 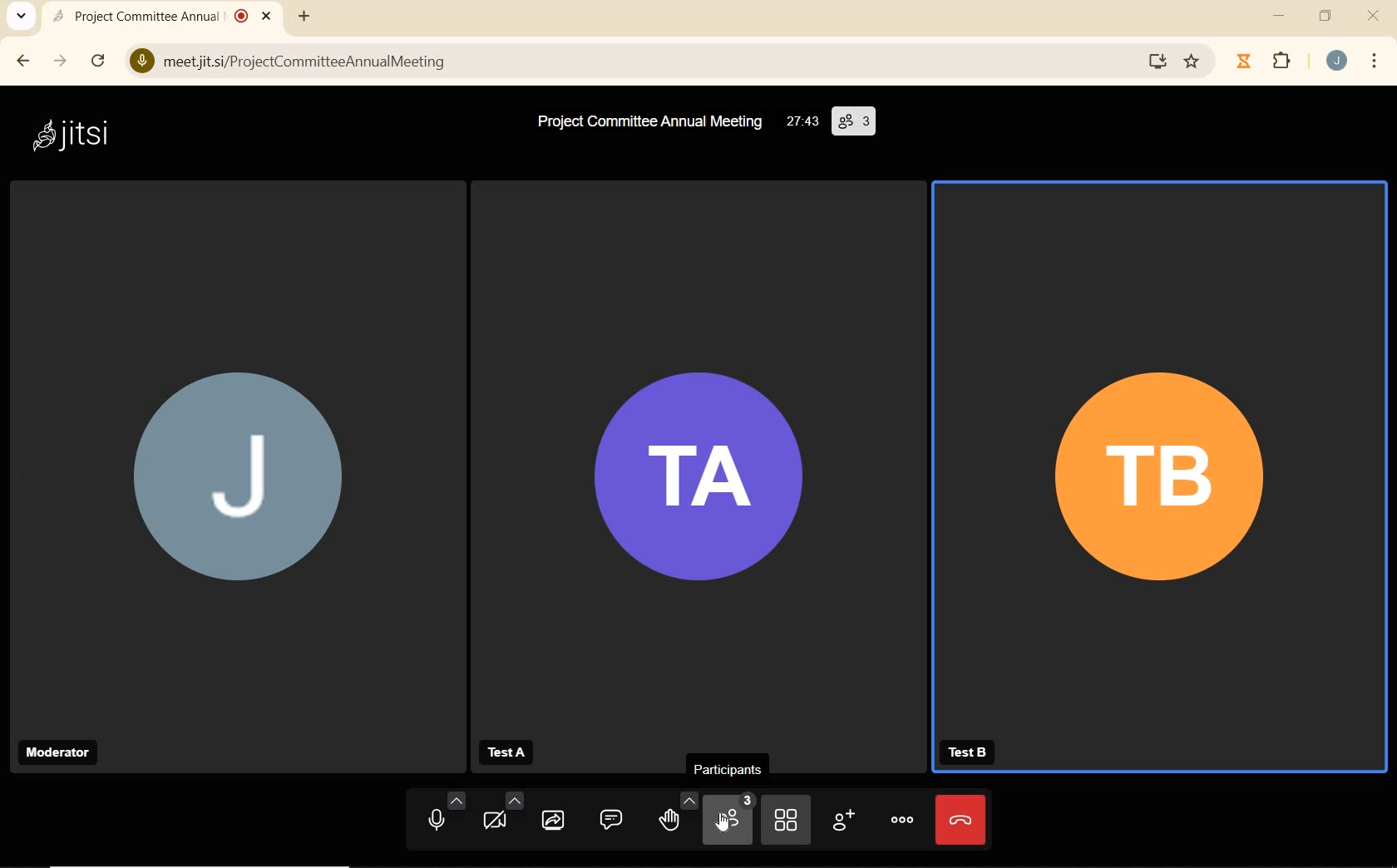 What do you see at coordinates (231, 452) in the screenshot?
I see `J` at bounding box center [231, 452].